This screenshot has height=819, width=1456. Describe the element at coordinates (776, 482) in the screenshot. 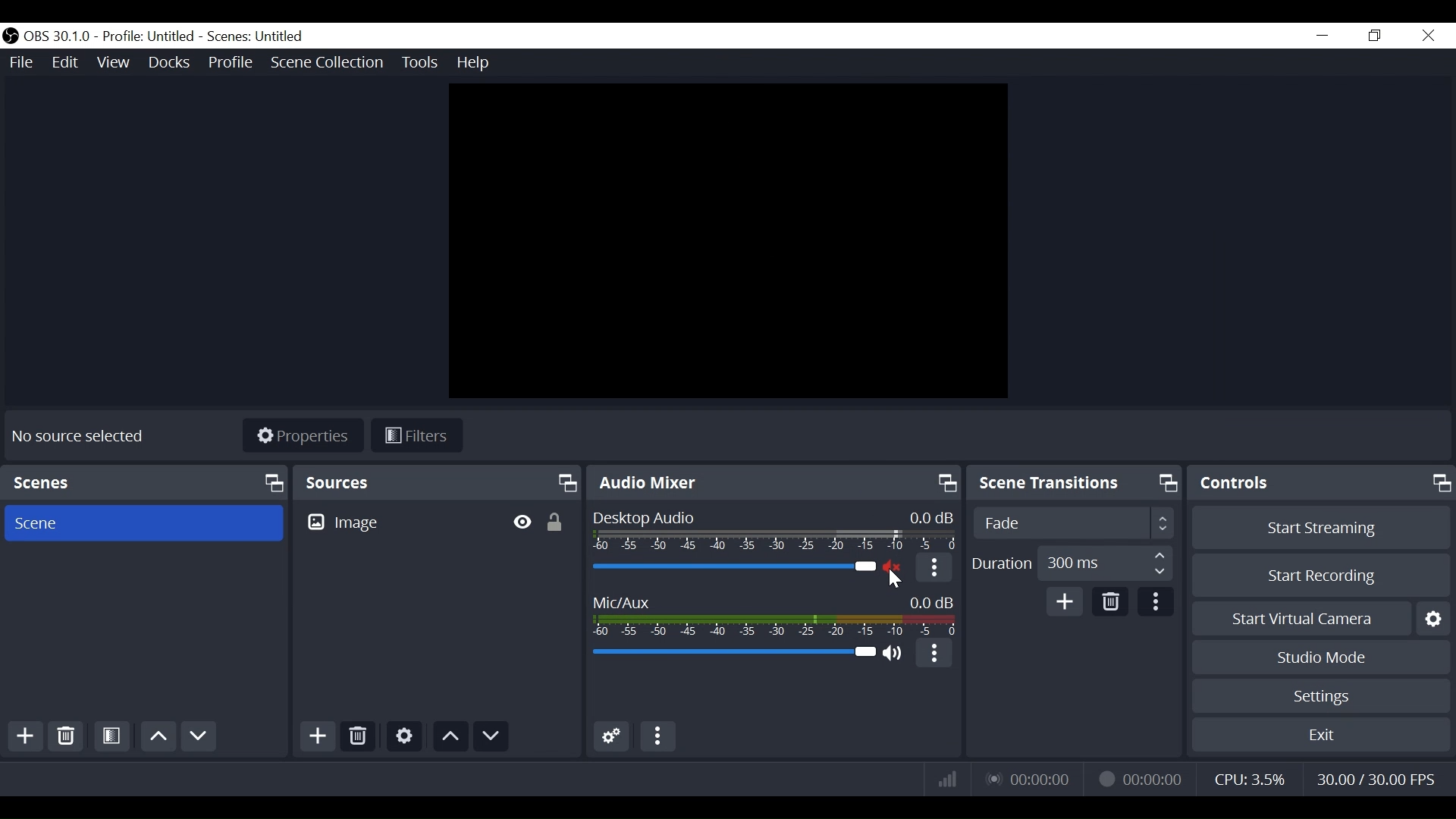

I see `Audio Mixer` at that location.